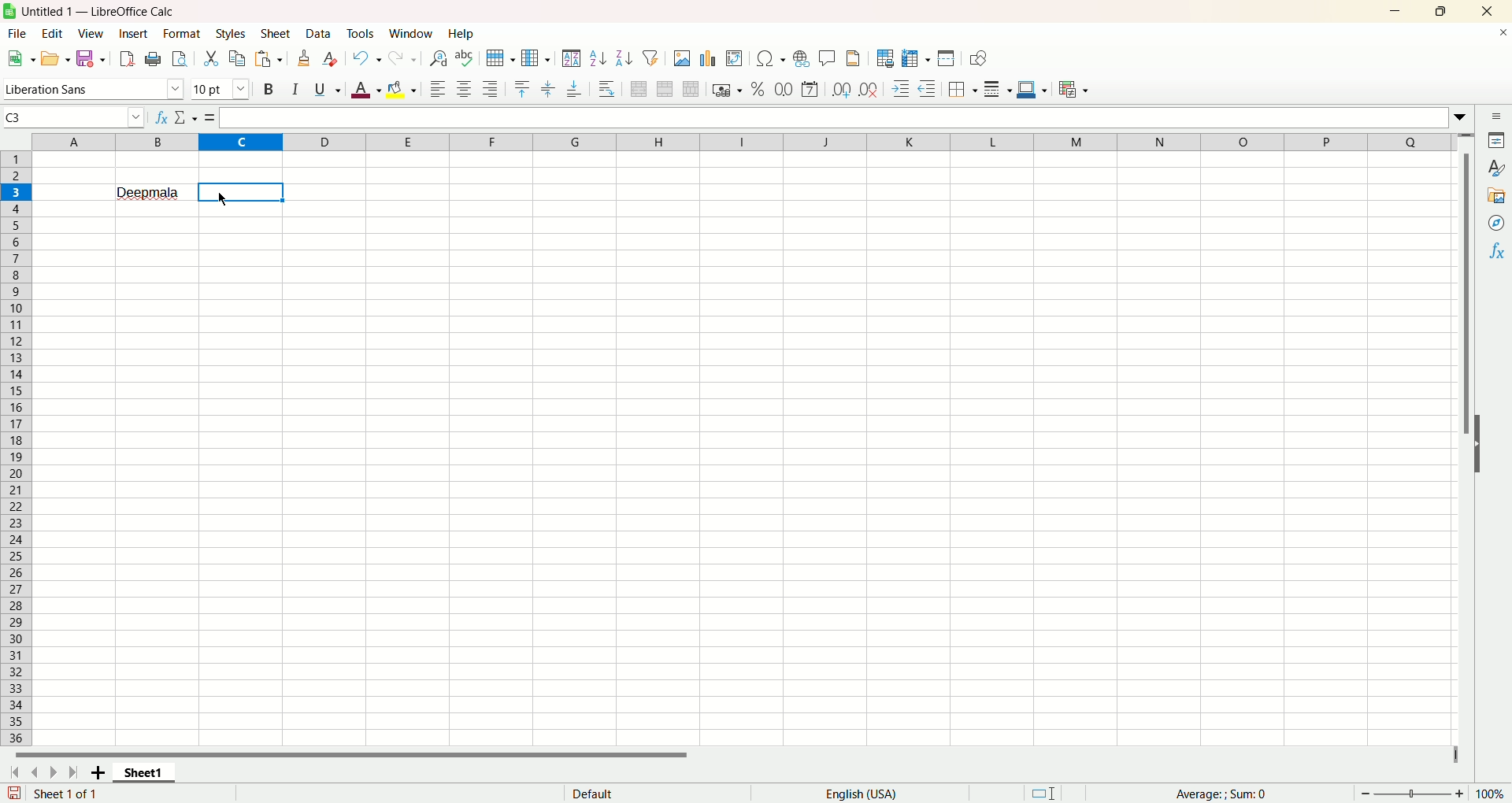 Image resolution: width=1512 pixels, height=803 pixels. Describe the element at coordinates (980, 59) in the screenshot. I see `Show draw fuctions` at that location.